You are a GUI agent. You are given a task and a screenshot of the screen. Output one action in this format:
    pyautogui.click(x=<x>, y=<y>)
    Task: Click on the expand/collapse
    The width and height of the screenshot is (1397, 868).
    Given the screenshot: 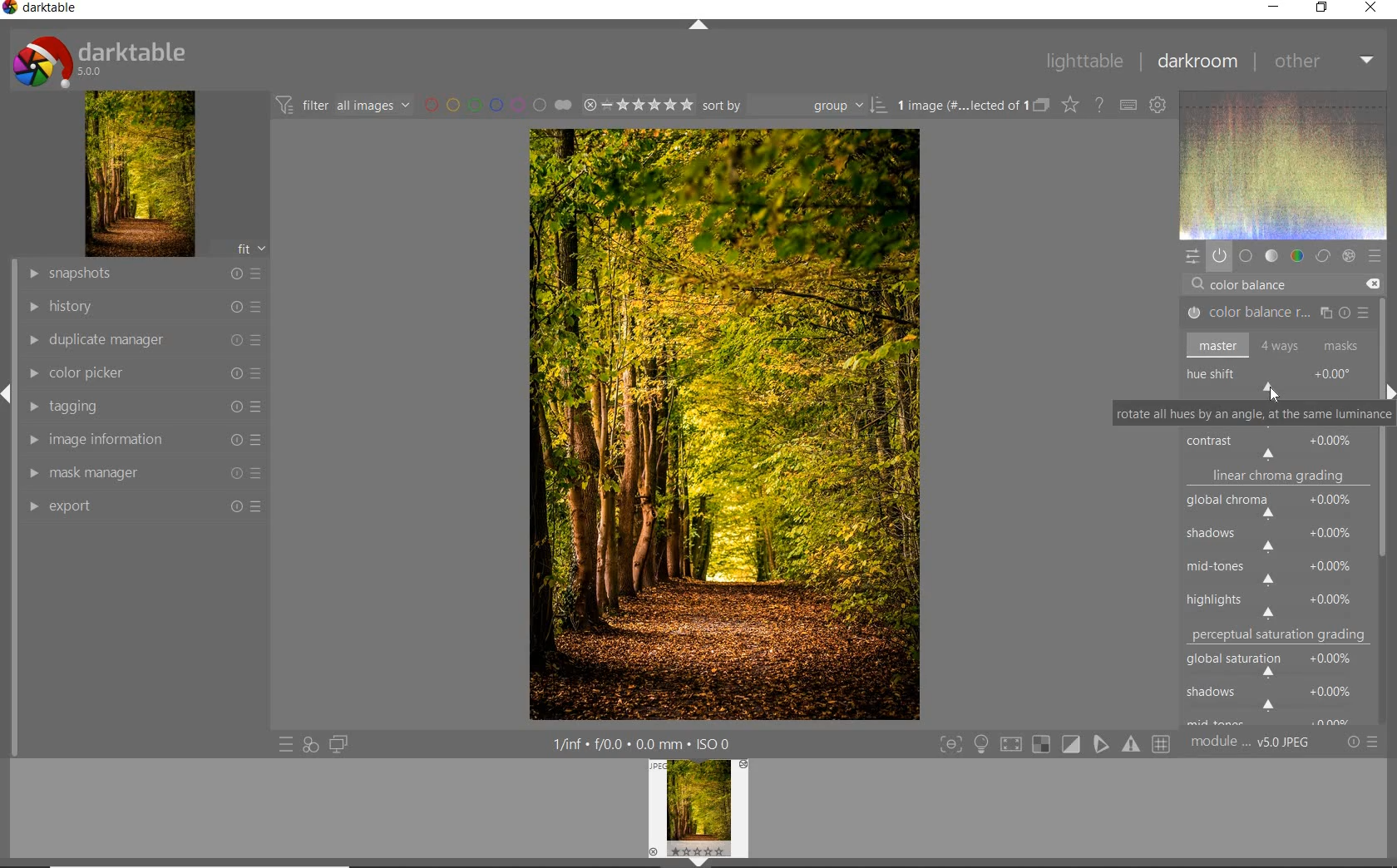 What is the action you would take?
    pyautogui.click(x=696, y=25)
    